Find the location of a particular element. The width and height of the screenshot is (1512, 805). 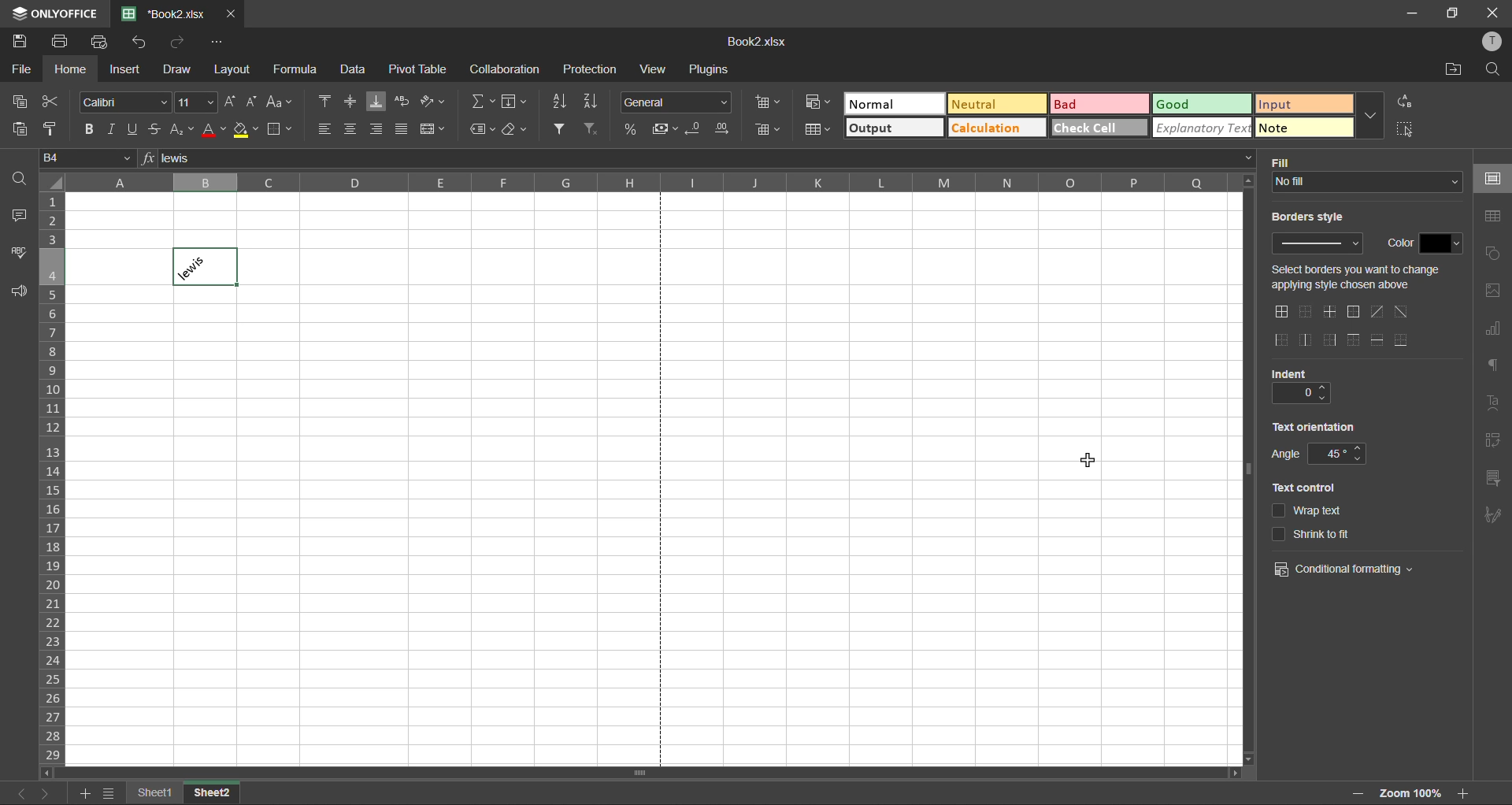

decrease indent is located at coordinates (1327, 399).